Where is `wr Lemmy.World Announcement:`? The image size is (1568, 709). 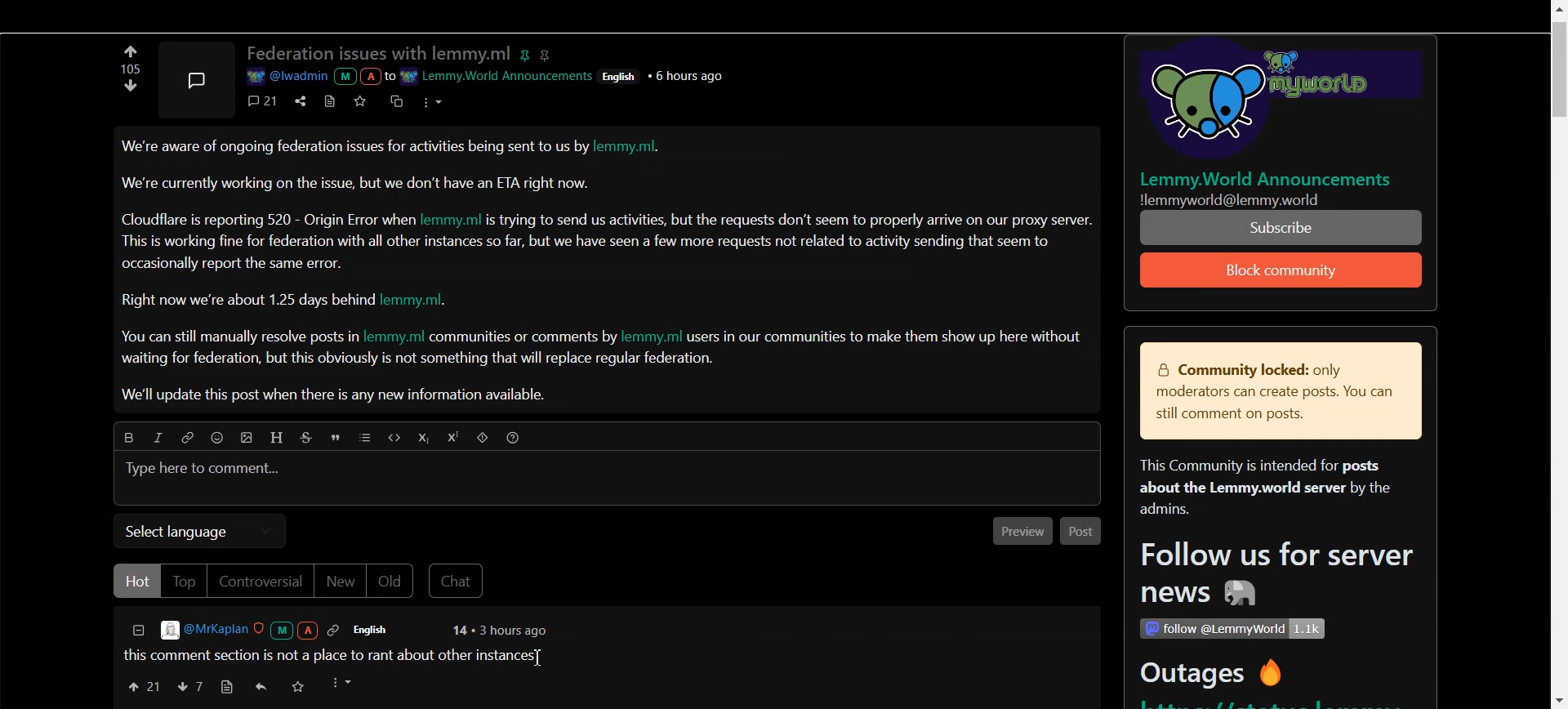
wr Lemmy.World Announcement: is located at coordinates (499, 74).